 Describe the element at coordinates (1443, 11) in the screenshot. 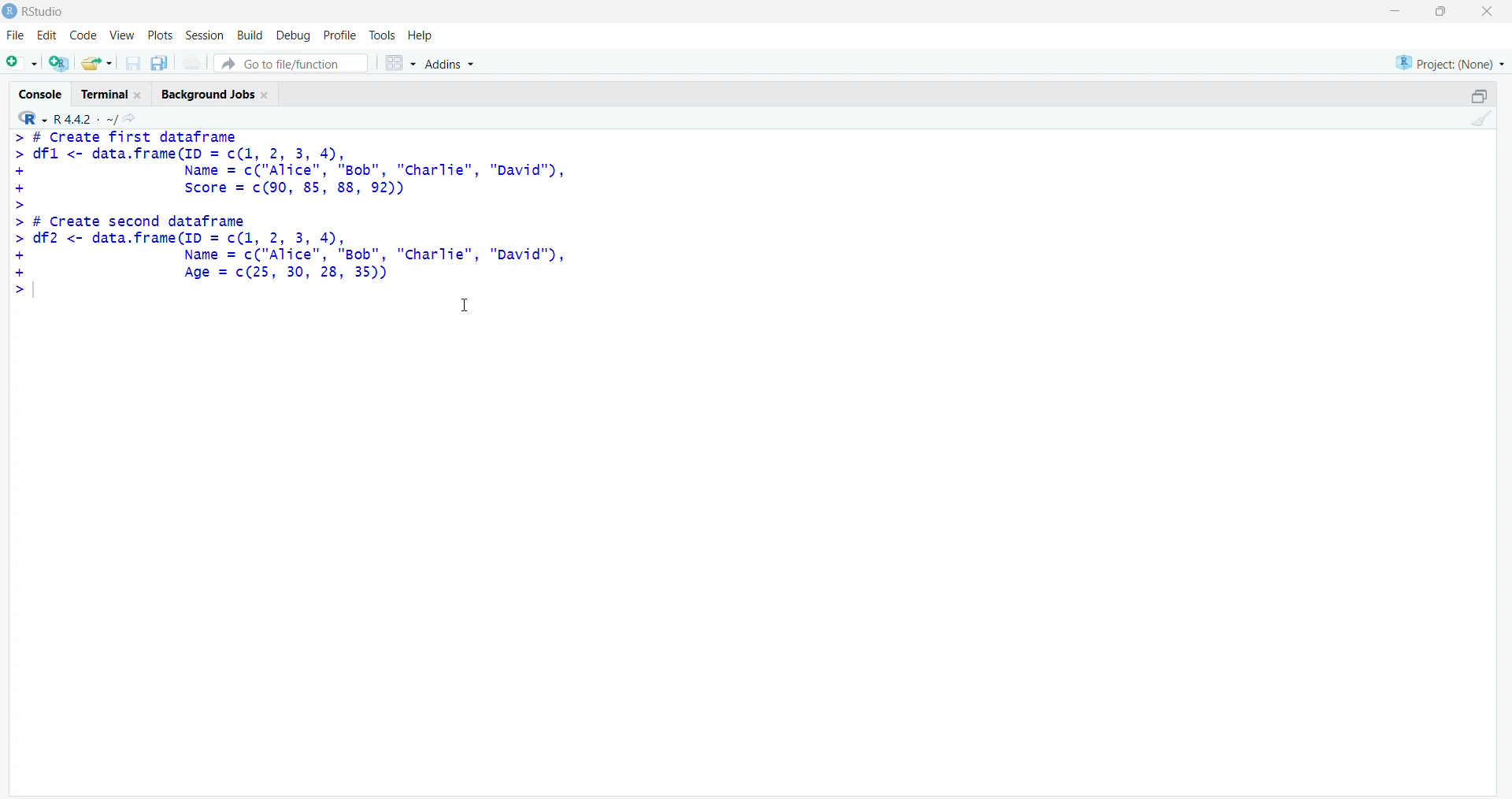

I see `maximize` at that location.